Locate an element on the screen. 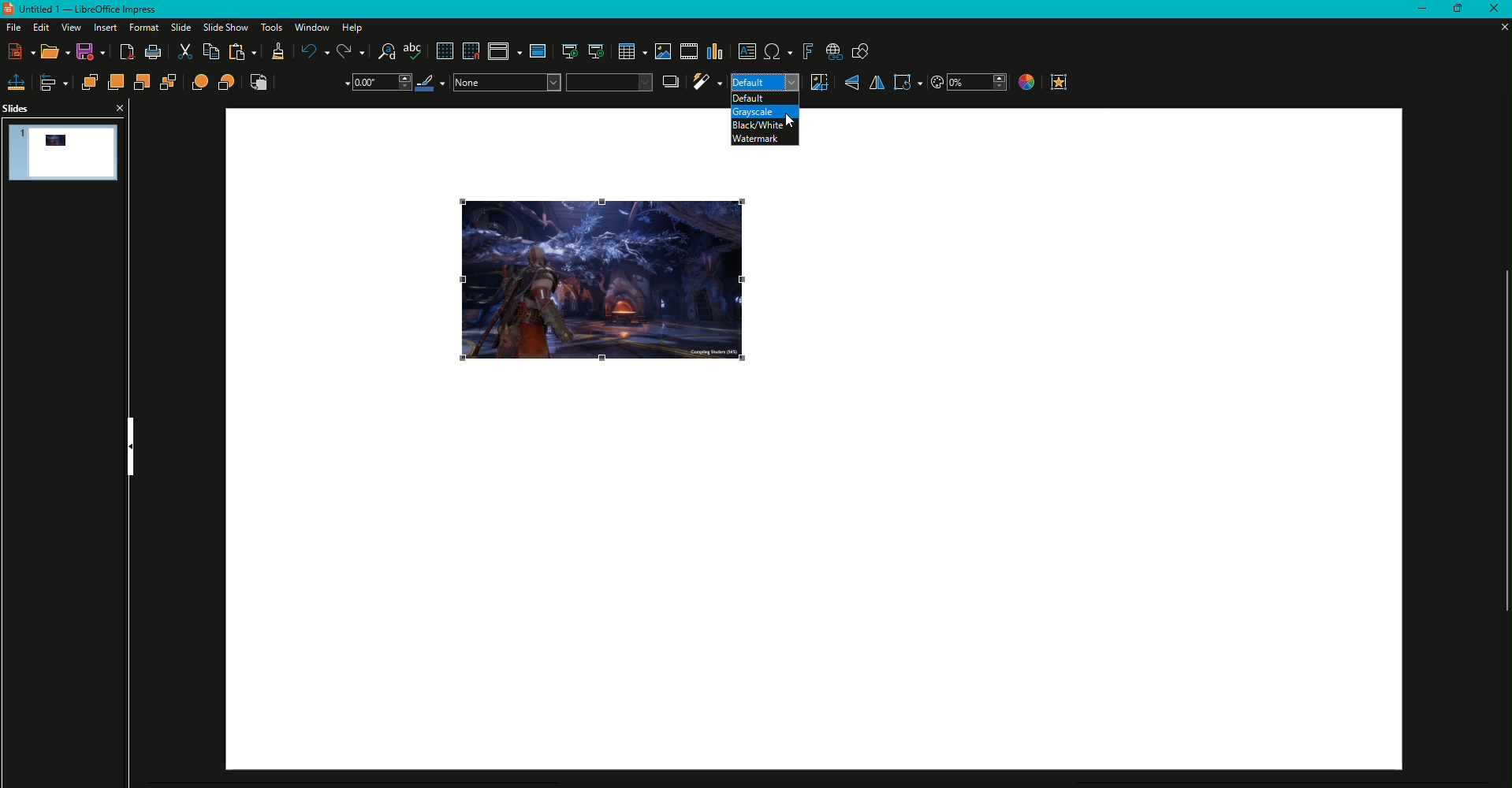 This screenshot has width=1512, height=788. Display Grid is located at coordinates (443, 52).